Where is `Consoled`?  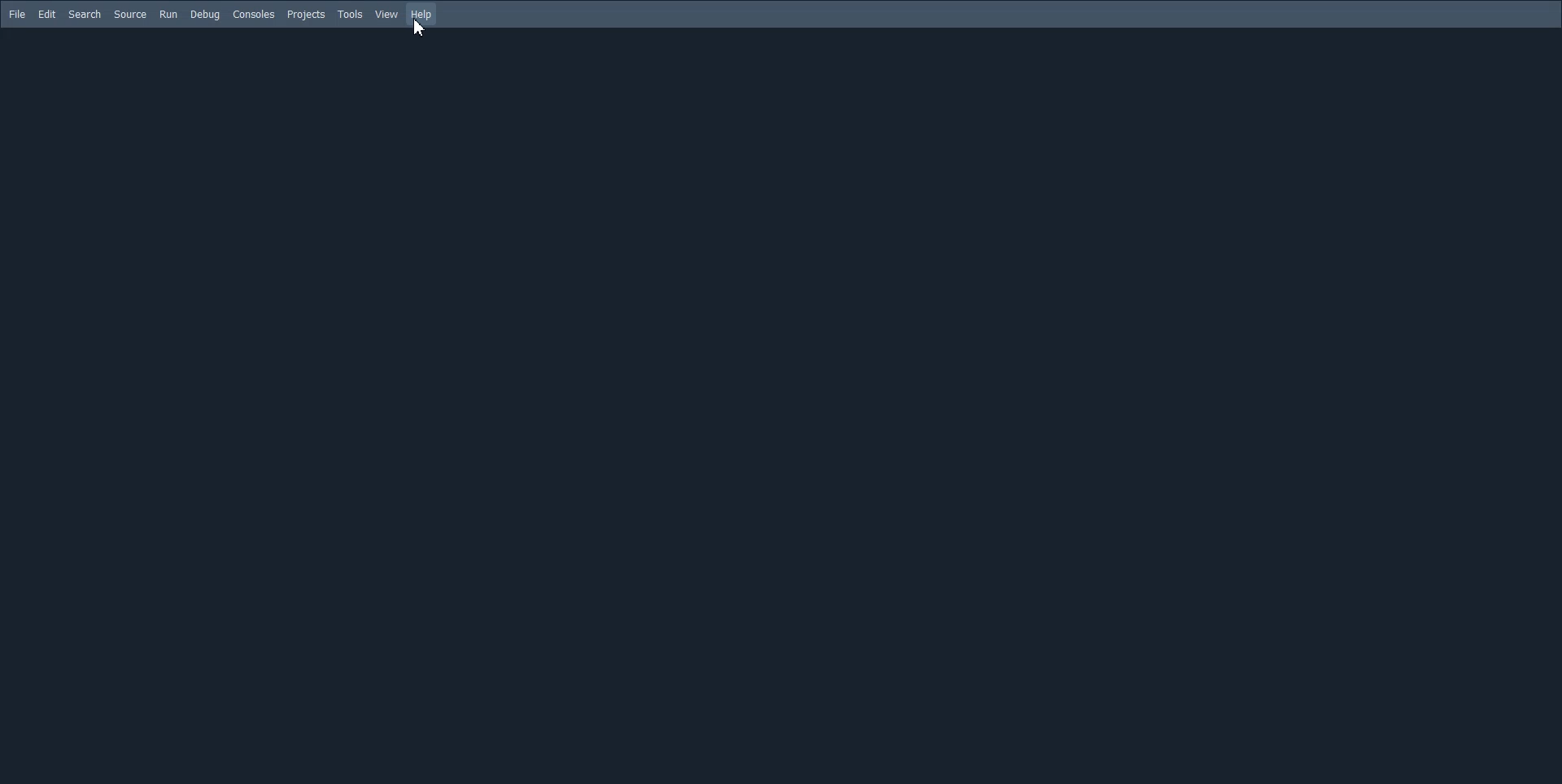
Consoled is located at coordinates (255, 14).